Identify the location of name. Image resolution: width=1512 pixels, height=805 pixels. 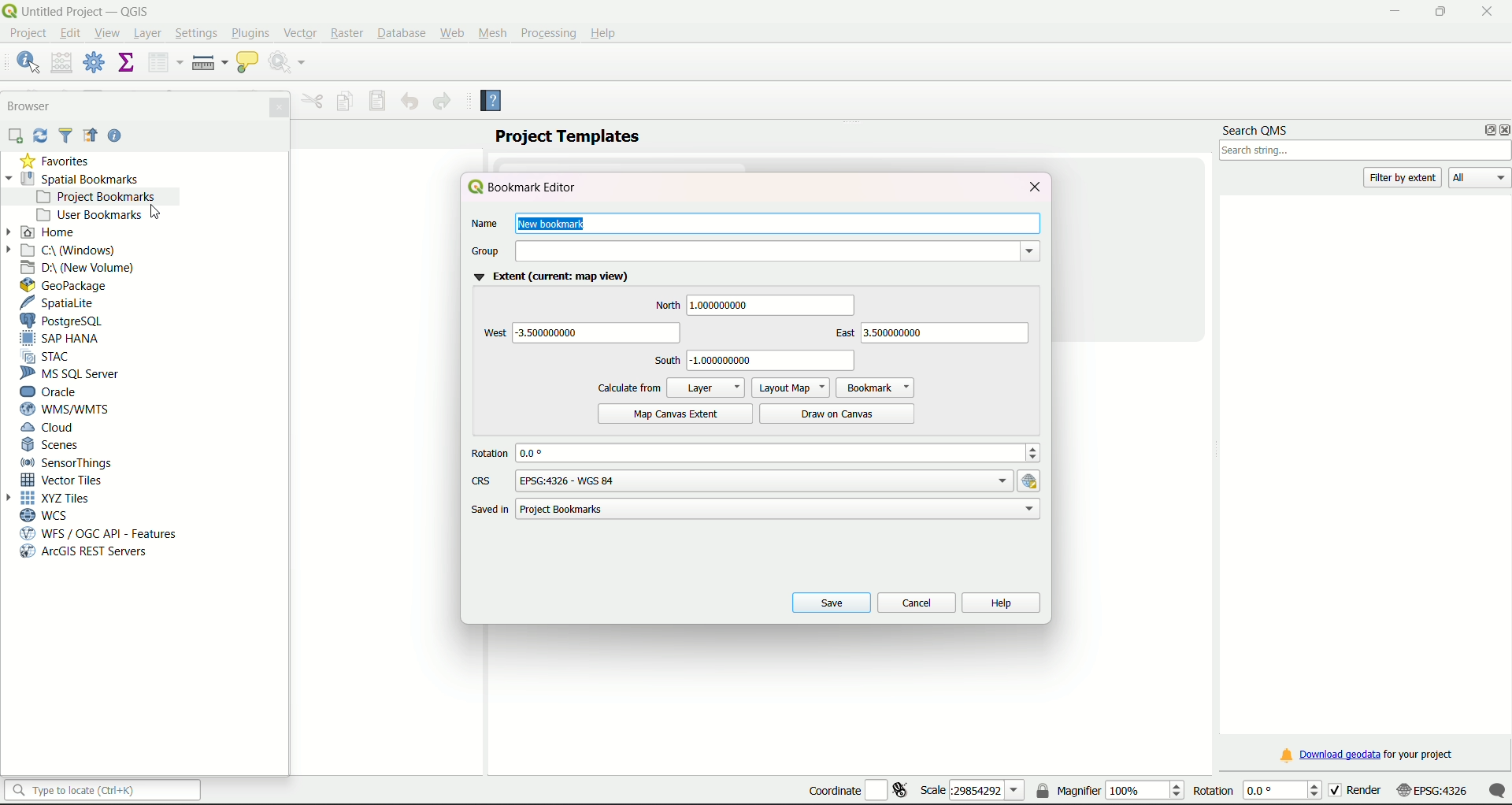
(669, 224).